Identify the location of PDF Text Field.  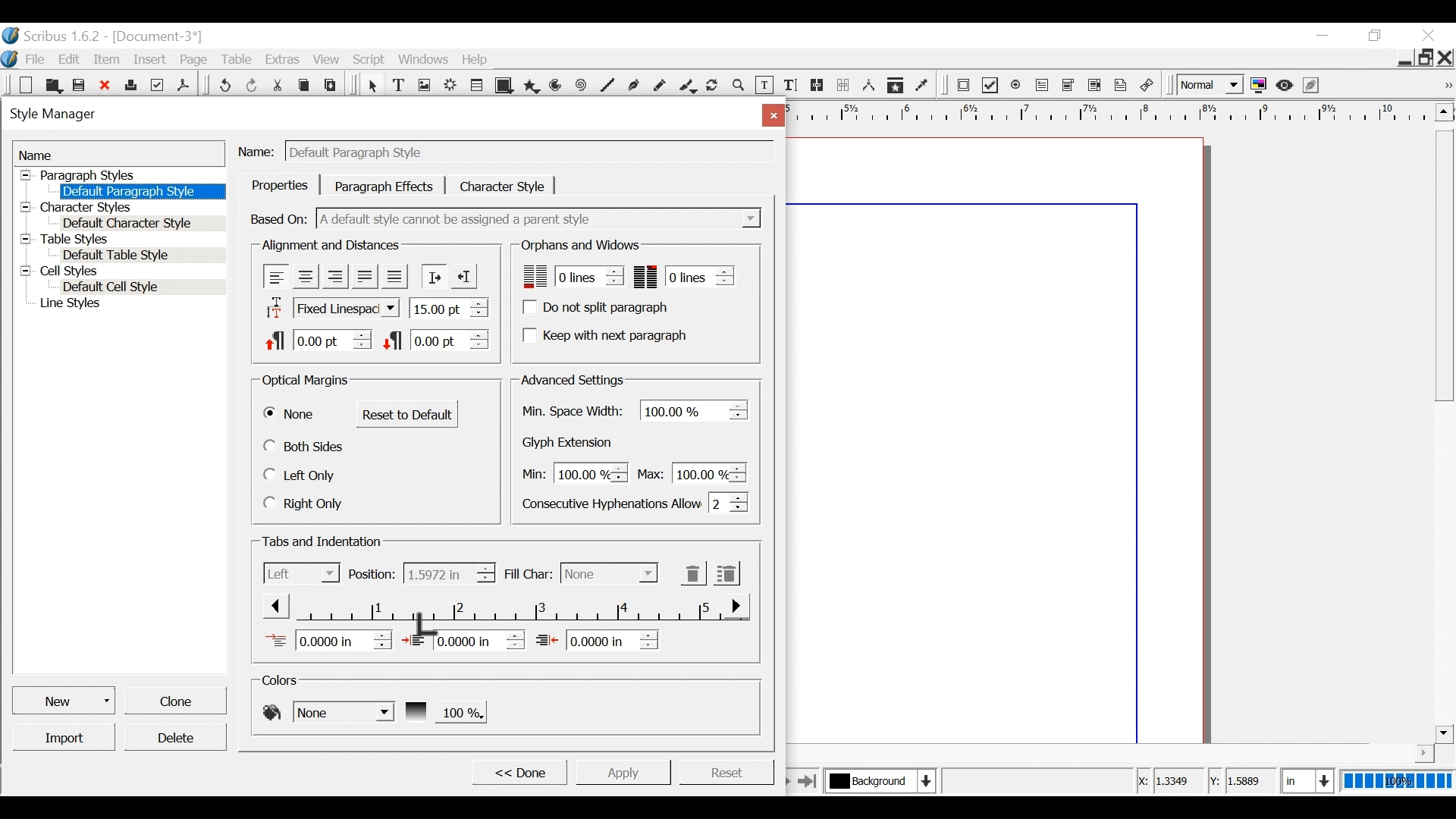
(1043, 86).